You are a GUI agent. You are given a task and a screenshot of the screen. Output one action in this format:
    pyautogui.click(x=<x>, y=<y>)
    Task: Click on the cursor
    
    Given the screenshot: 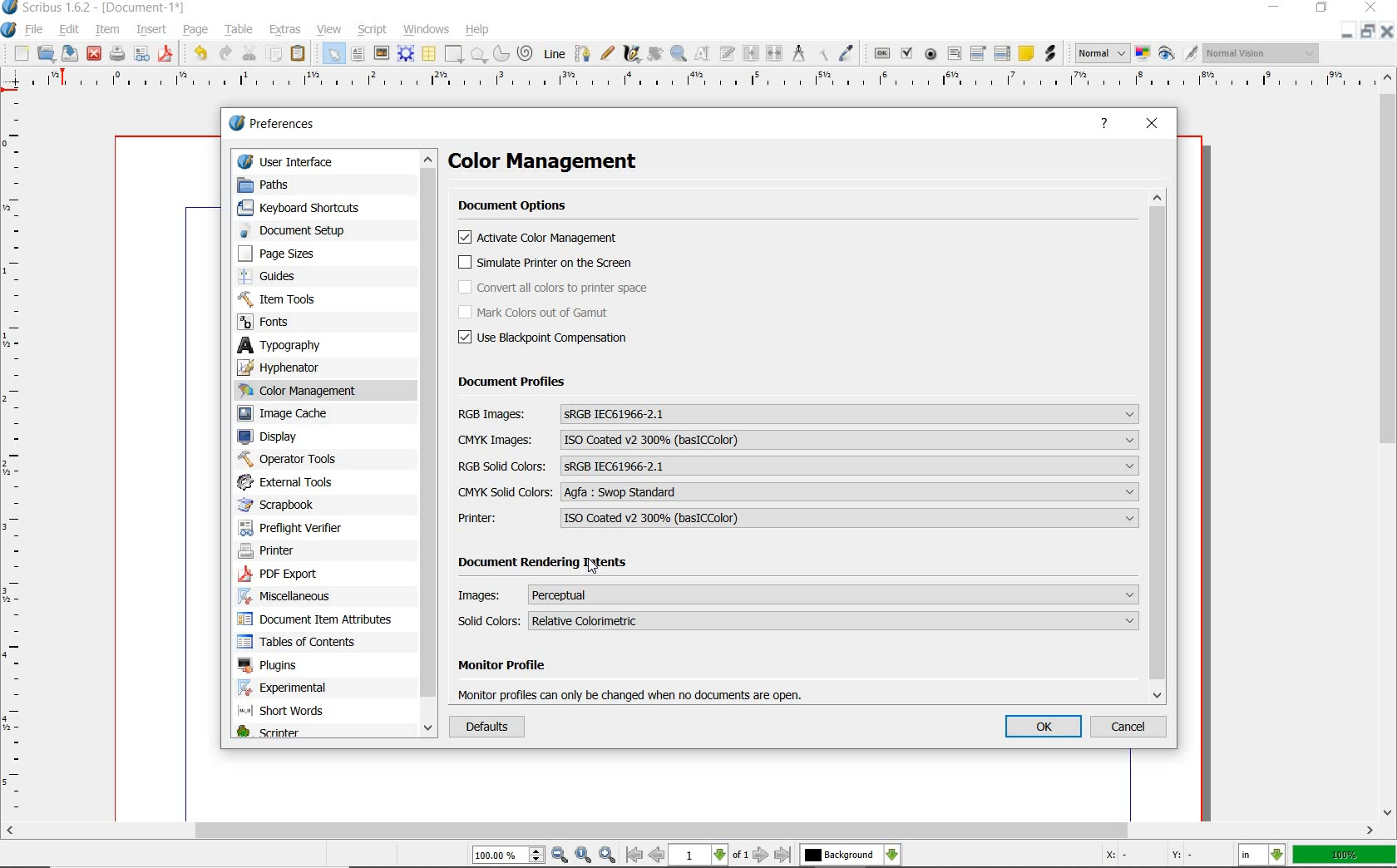 What is the action you would take?
    pyautogui.click(x=591, y=567)
    